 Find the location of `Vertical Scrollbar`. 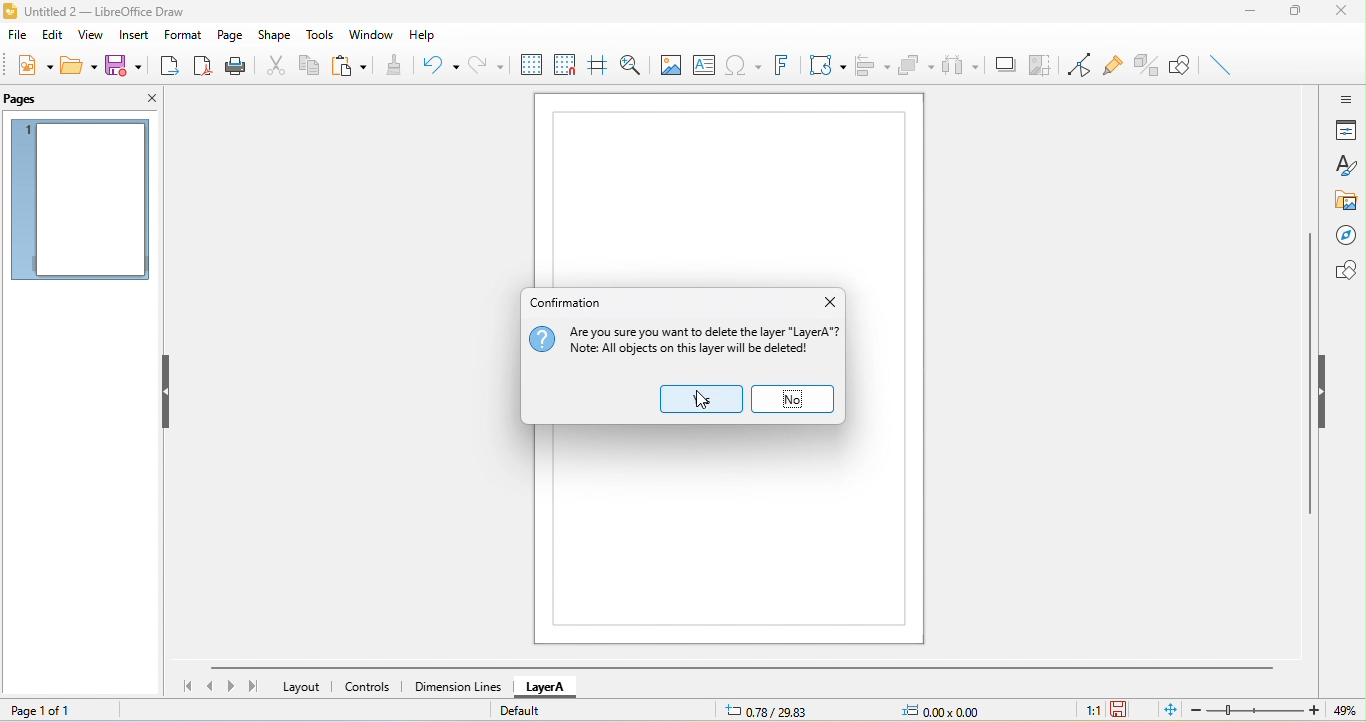

Vertical Scrollbar is located at coordinates (1306, 375).